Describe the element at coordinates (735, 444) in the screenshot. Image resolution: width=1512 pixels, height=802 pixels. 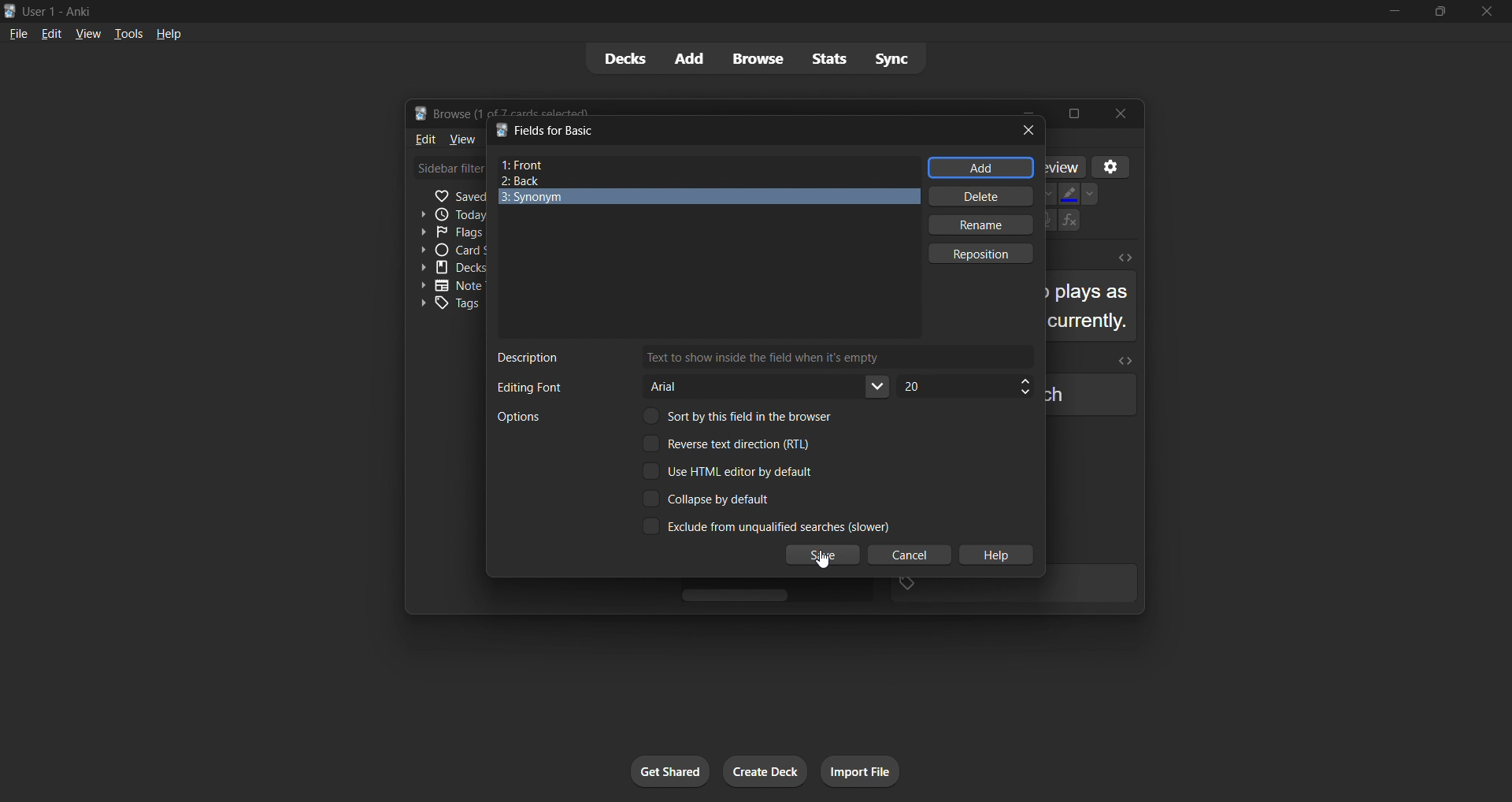
I see `Reverse text direction(RTL)` at that location.